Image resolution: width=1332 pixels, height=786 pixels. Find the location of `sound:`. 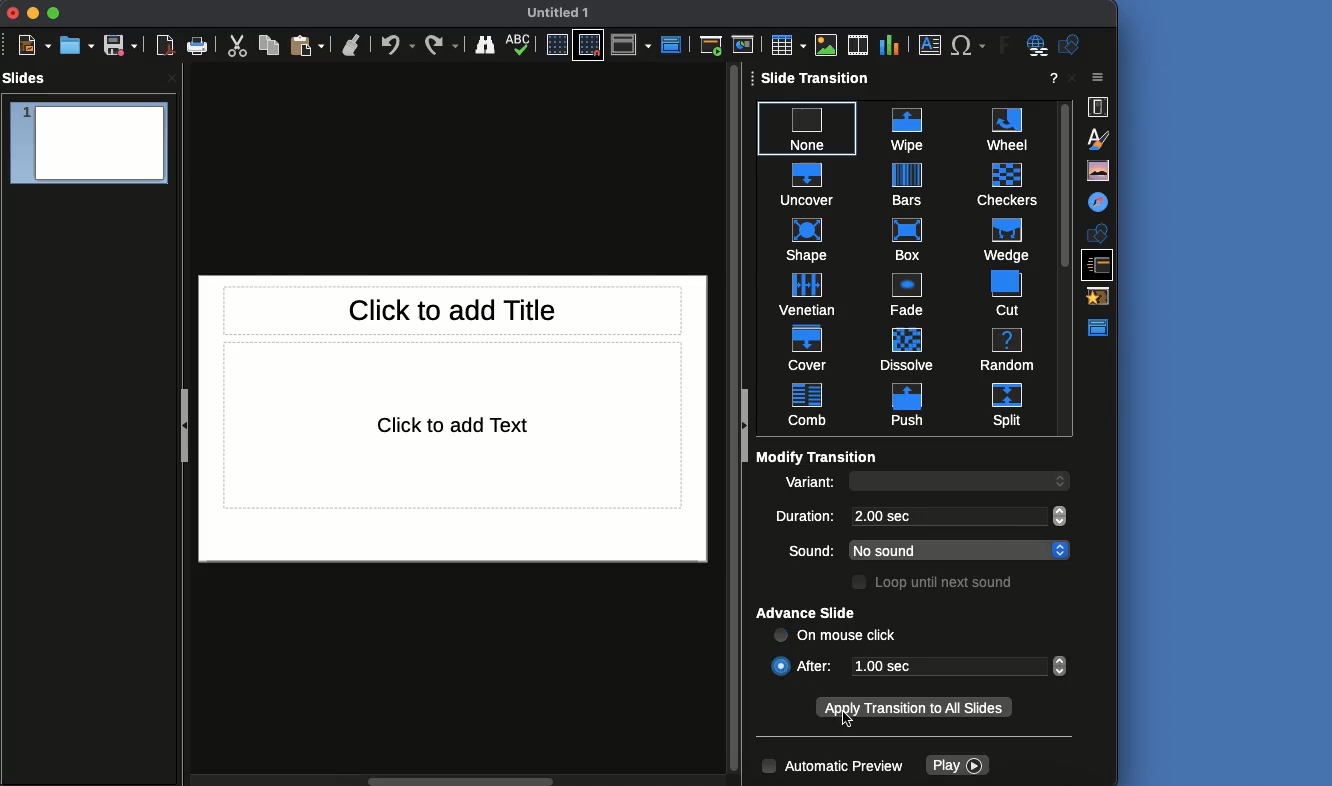

sound: is located at coordinates (801, 549).